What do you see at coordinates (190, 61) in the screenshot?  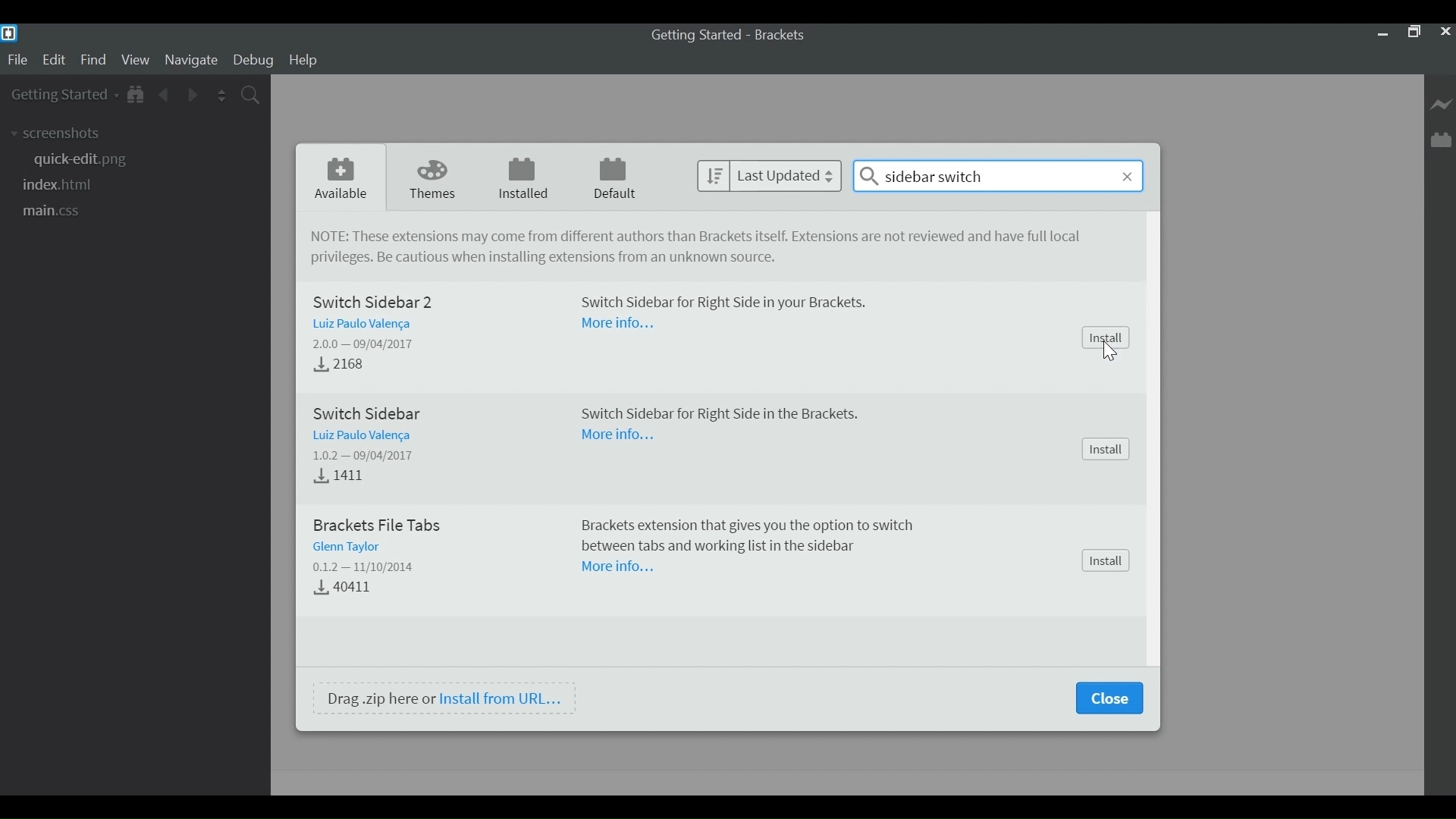 I see `Navigate` at bounding box center [190, 61].